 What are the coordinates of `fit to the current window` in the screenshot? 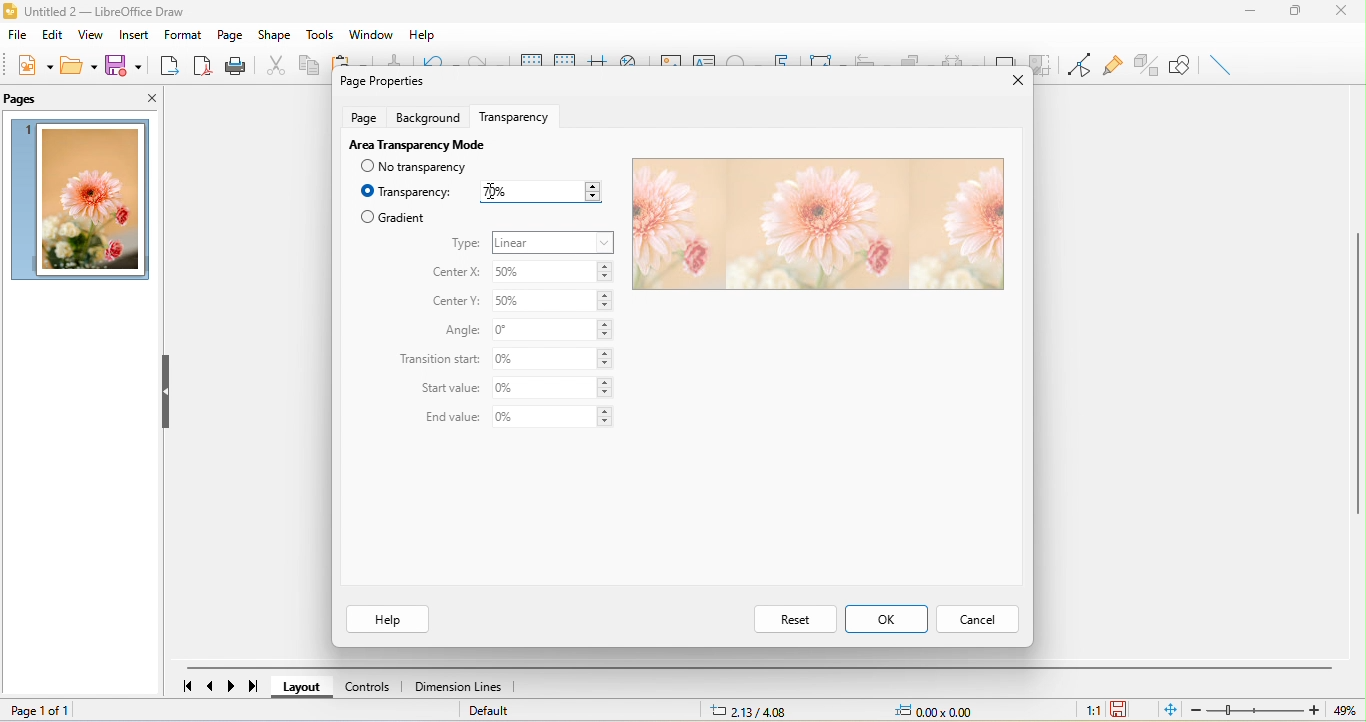 It's located at (1173, 710).